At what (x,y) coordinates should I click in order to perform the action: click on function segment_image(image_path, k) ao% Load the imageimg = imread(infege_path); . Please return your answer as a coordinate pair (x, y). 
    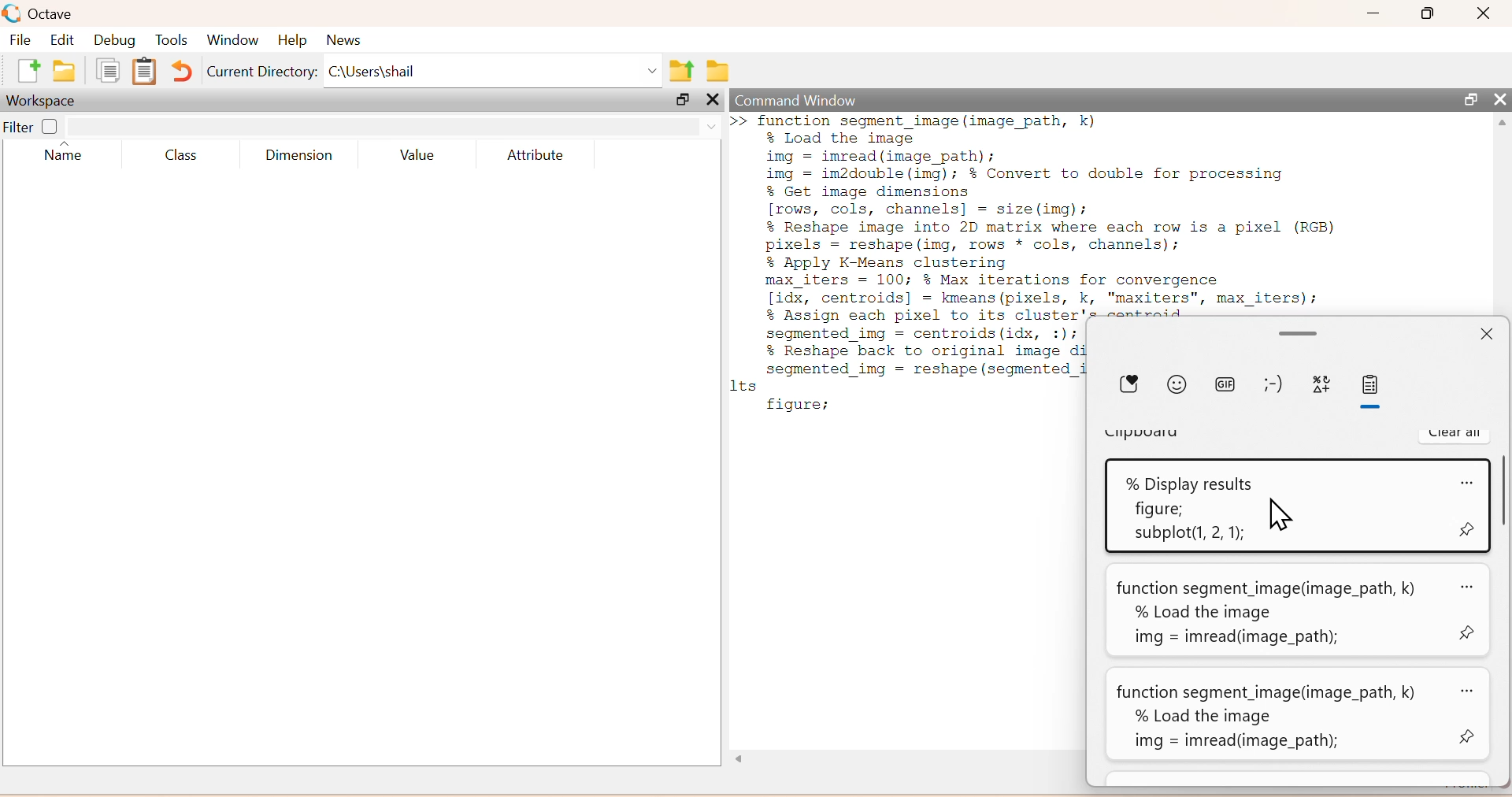
    Looking at the image, I should click on (1297, 611).